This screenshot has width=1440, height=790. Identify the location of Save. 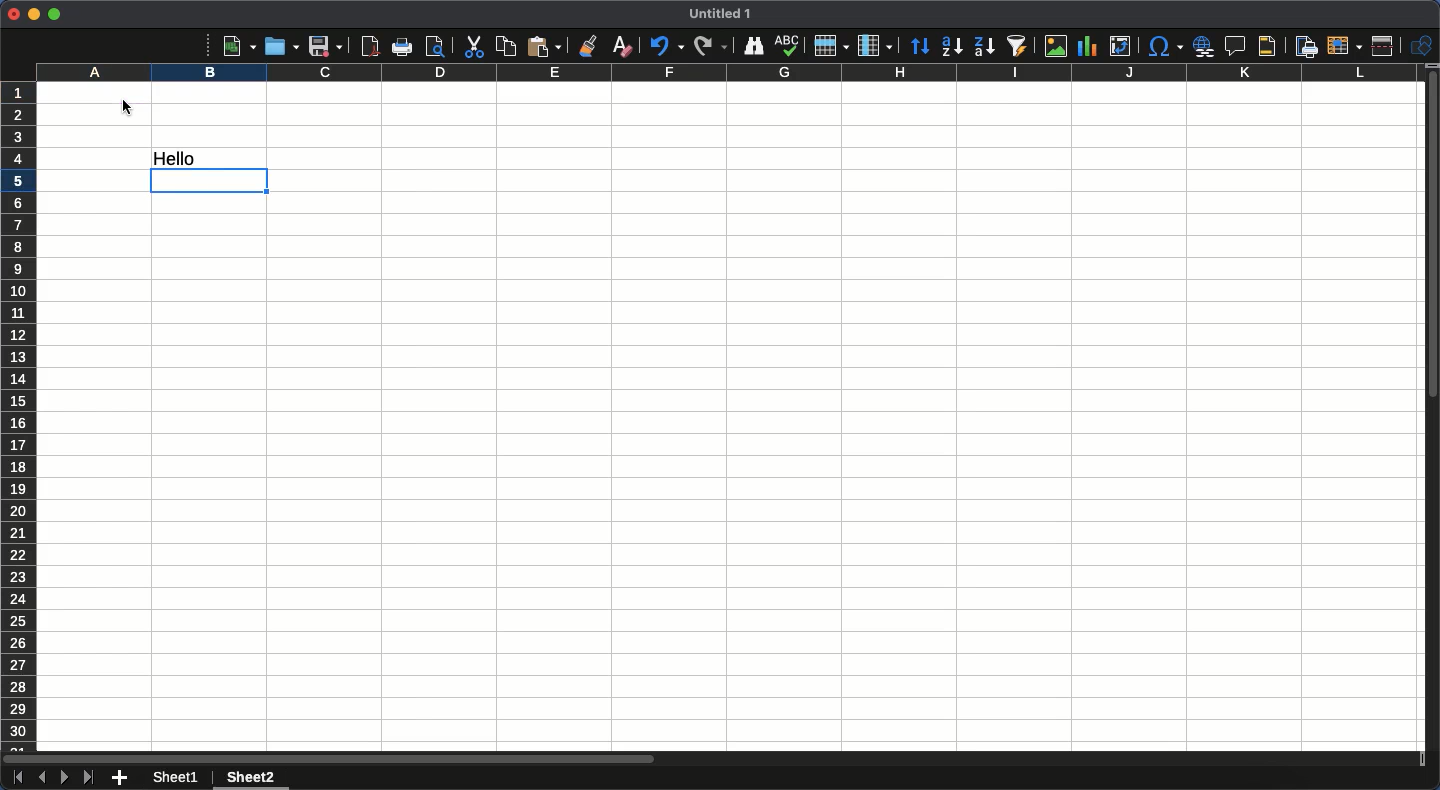
(325, 46).